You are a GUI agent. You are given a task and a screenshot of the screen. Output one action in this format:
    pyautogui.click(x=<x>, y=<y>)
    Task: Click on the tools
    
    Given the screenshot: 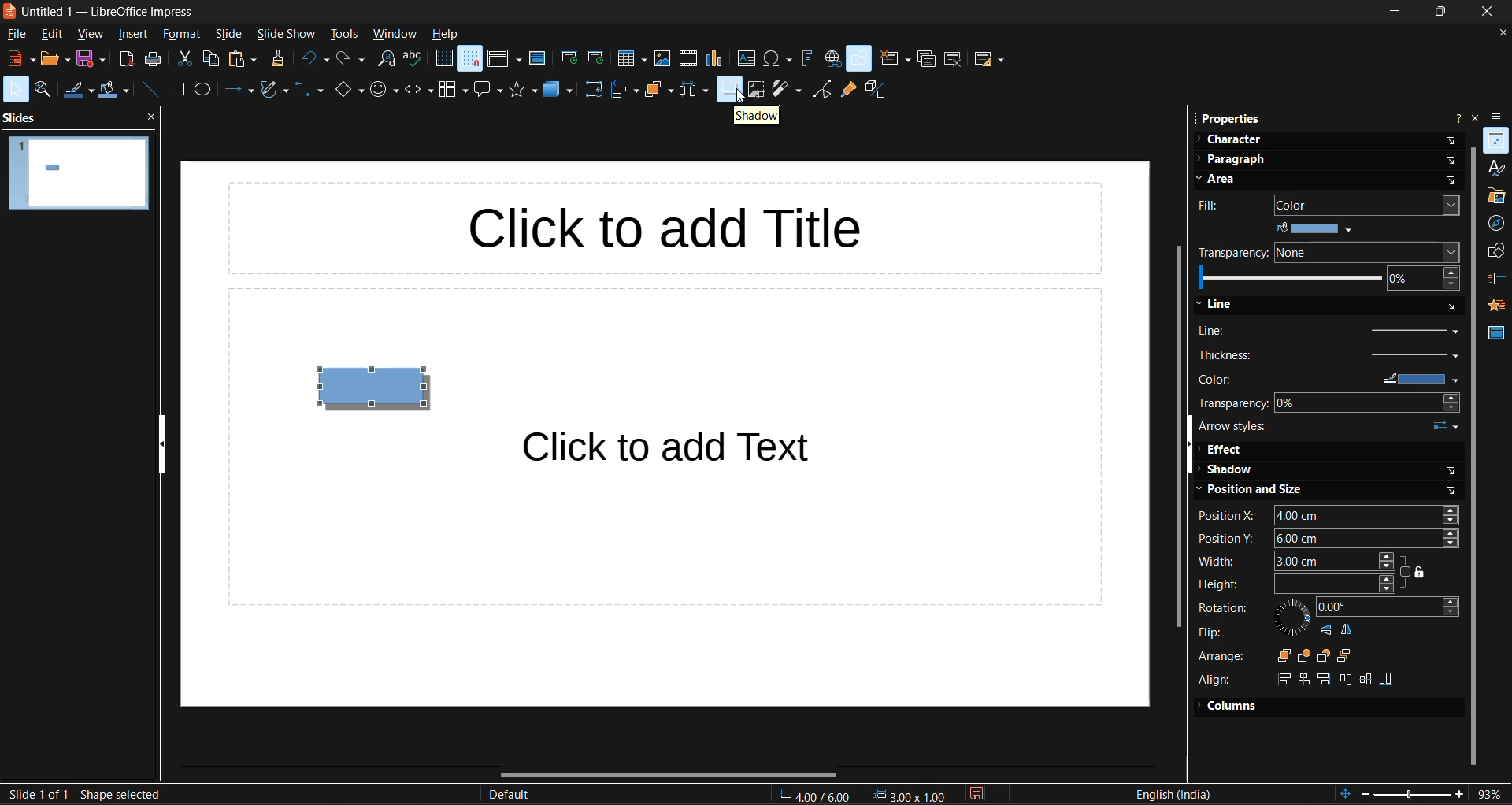 What is the action you would take?
    pyautogui.click(x=344, y=33)
    